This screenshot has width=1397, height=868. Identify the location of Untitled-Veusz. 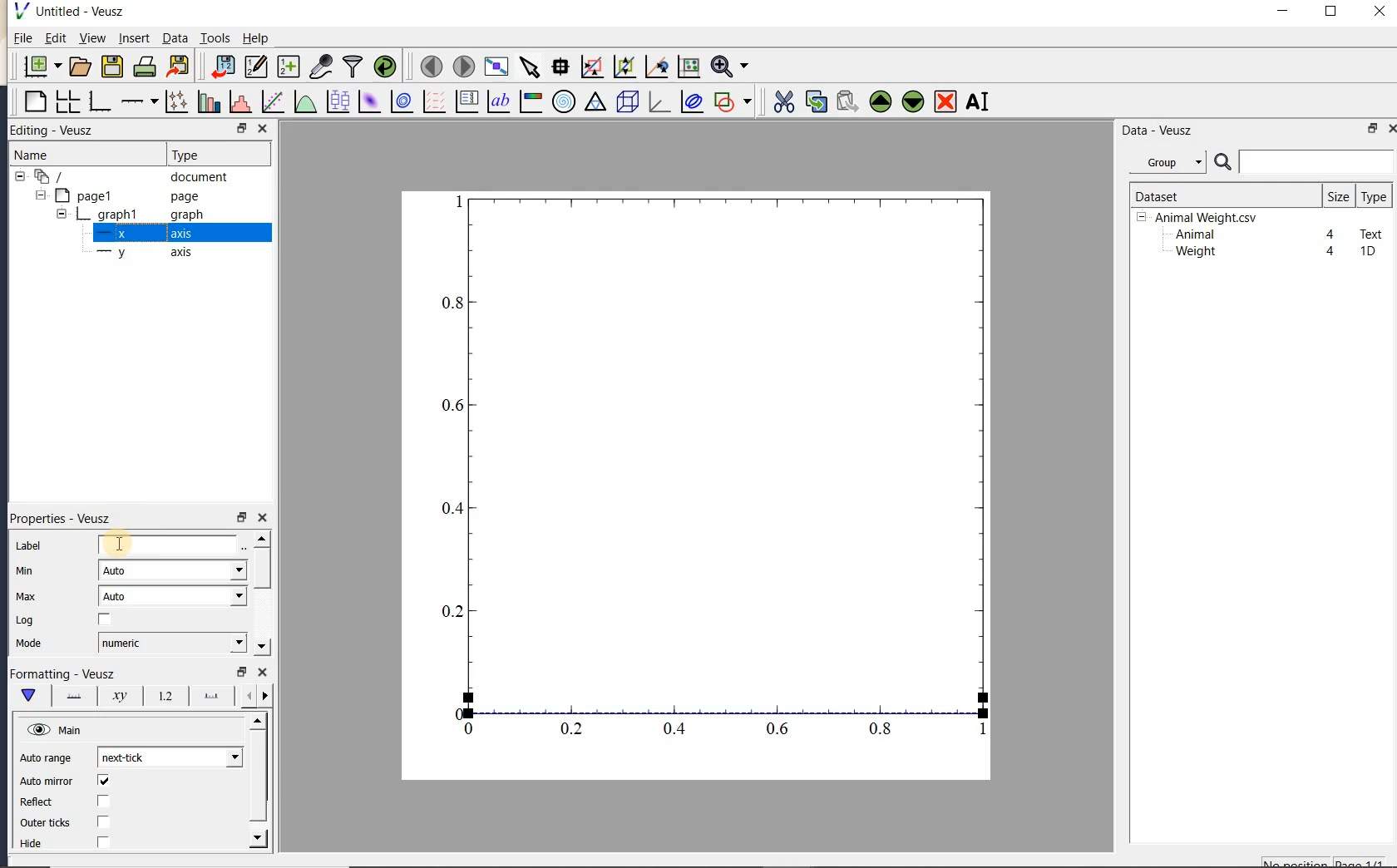
(74, 12).